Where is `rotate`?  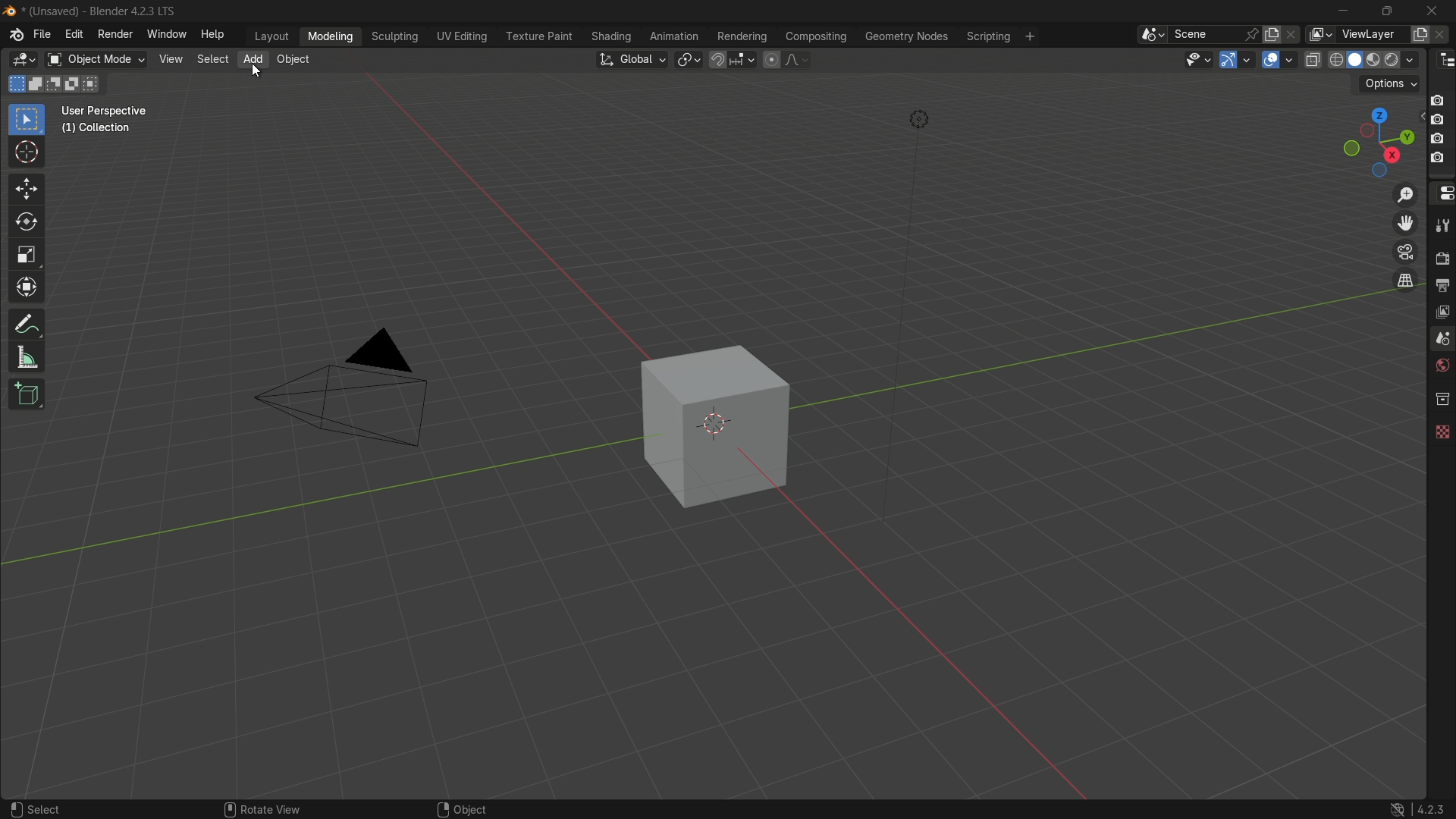 rotate is located at coordinates (29, 225).